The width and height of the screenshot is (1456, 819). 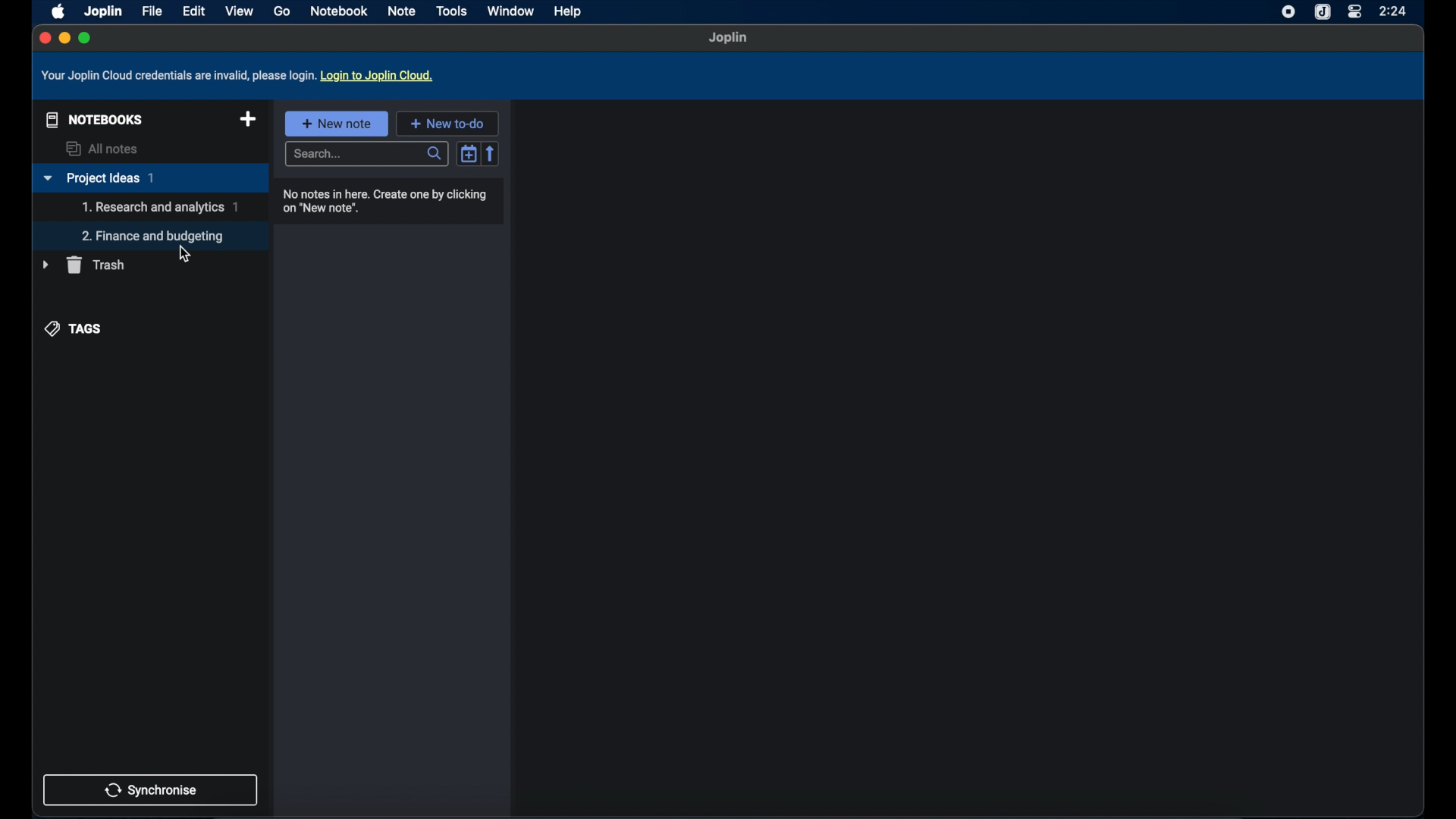 What do you see at coordinates (281, 11) in the screenshot?
I see `go` at bounding box center [281, 11].